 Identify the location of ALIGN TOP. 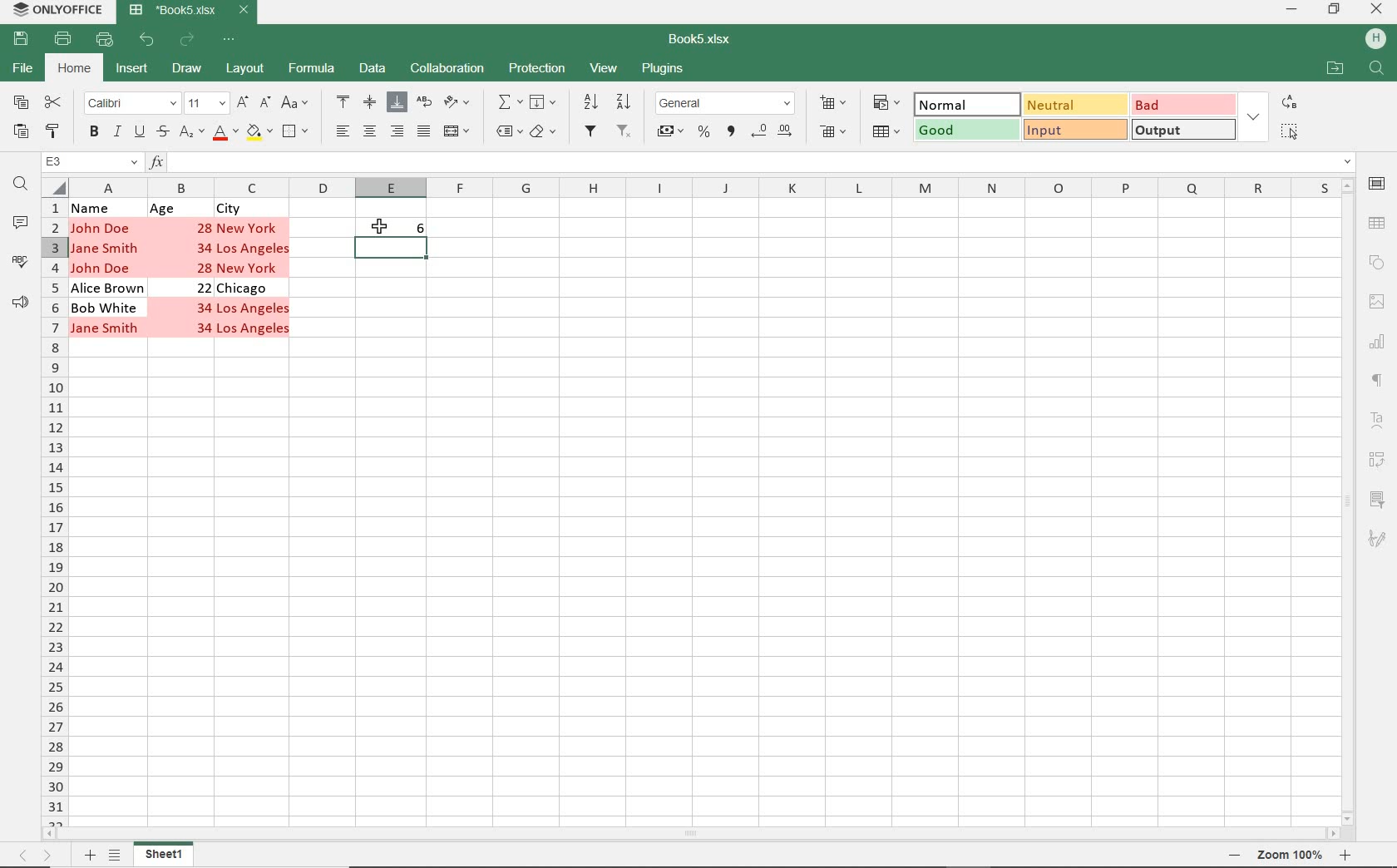
(343, 103).